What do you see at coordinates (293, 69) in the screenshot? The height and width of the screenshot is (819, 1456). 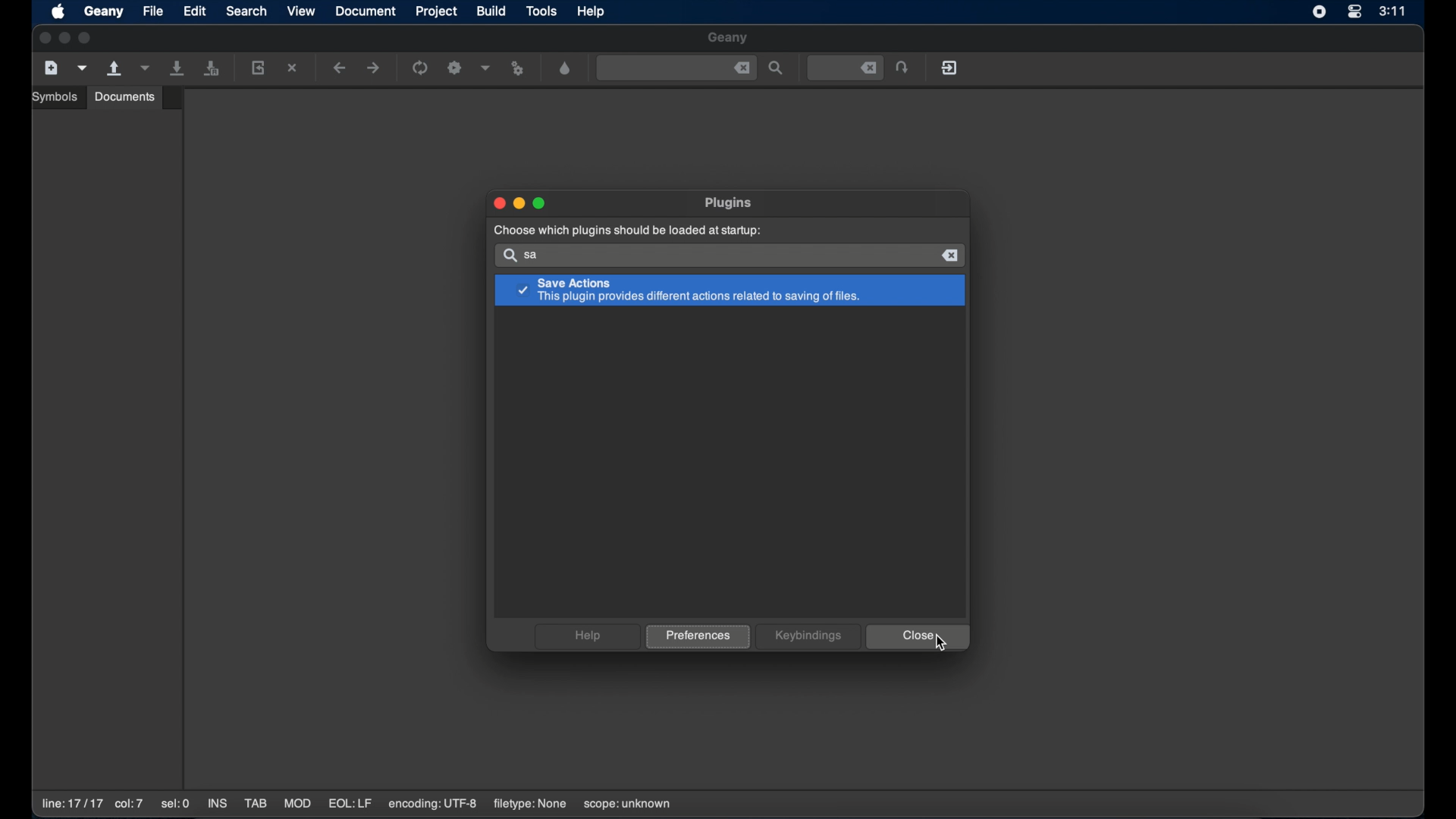 I see `close the current file` at bounding box center [293, 69].